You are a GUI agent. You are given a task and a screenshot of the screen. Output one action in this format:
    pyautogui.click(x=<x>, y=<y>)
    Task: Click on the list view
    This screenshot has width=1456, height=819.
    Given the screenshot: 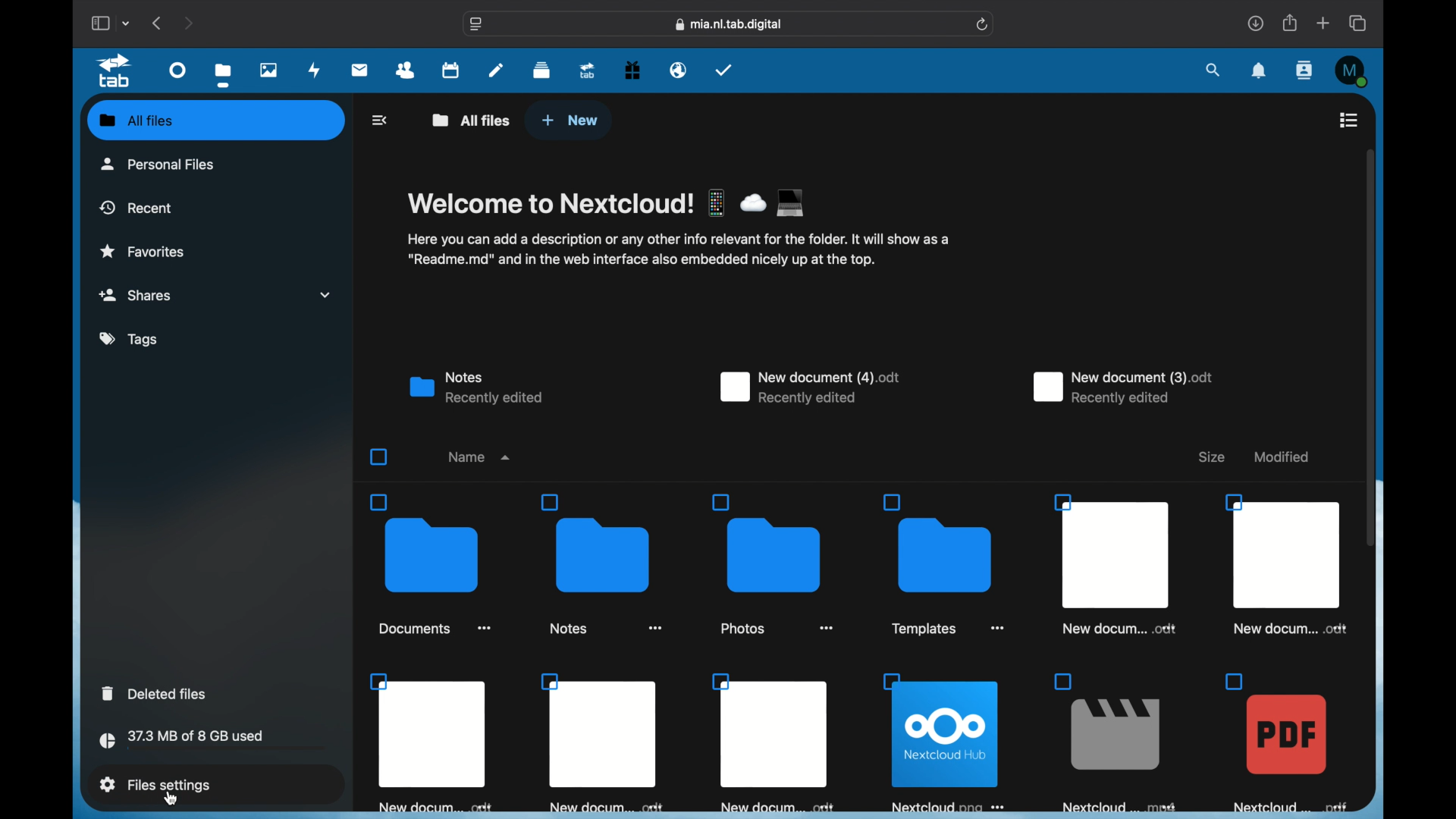 What is the action you would take?
    pyautogui.click(x=1348, y=119)
    